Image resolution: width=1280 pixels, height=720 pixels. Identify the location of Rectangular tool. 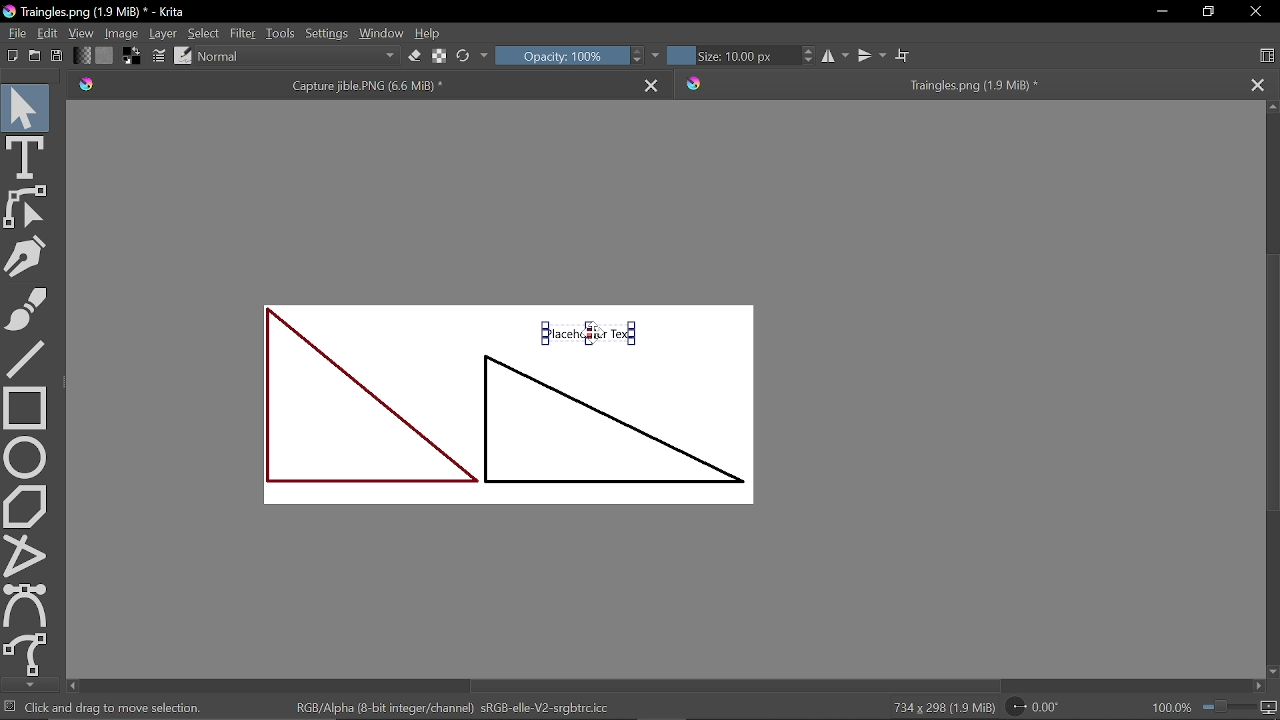
(26, 407).